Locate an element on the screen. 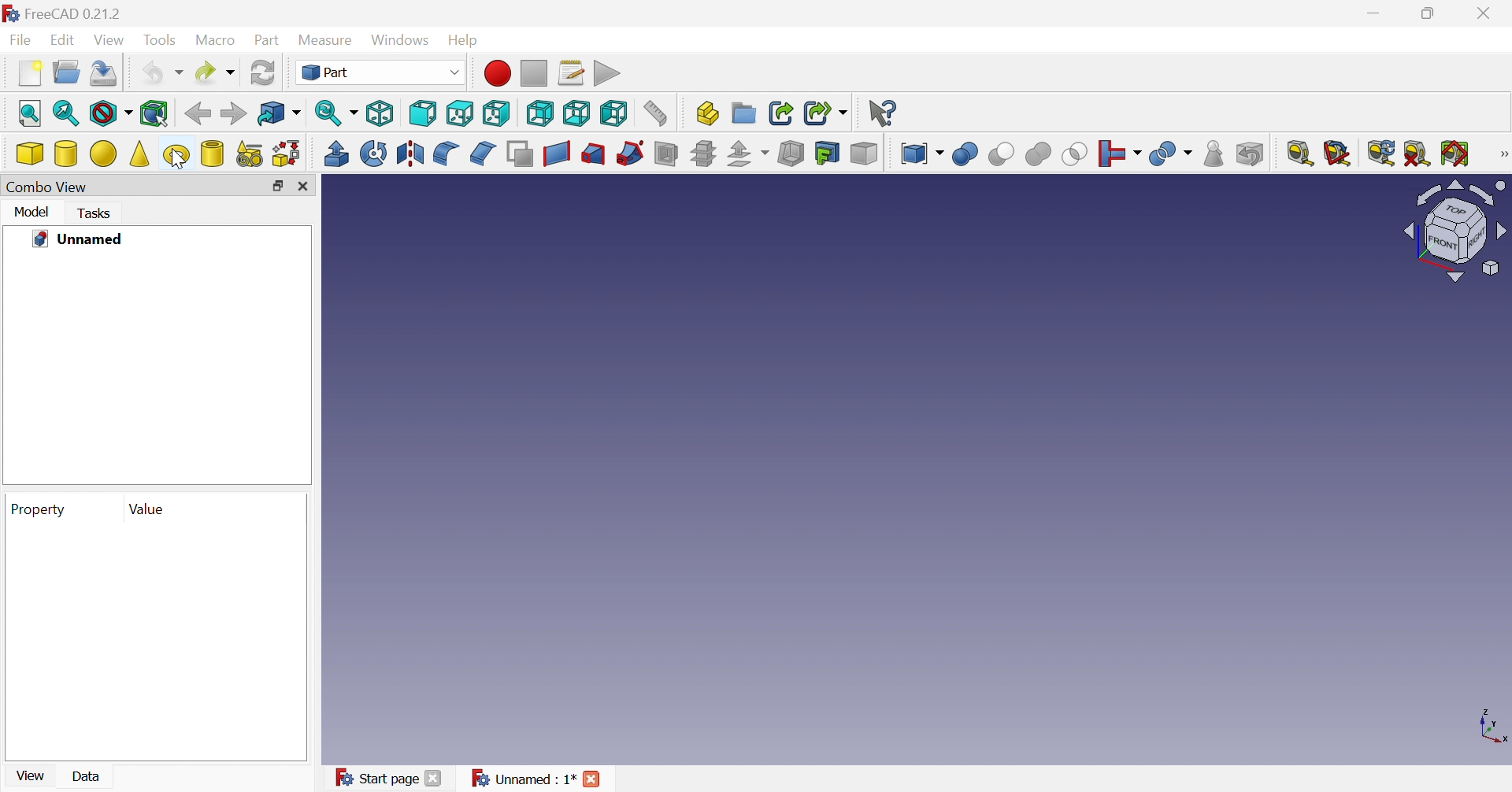 The height and width of the screenshot is (792, 1512). FreeCAD 0.21.2 is located at coordinates (83, 15).